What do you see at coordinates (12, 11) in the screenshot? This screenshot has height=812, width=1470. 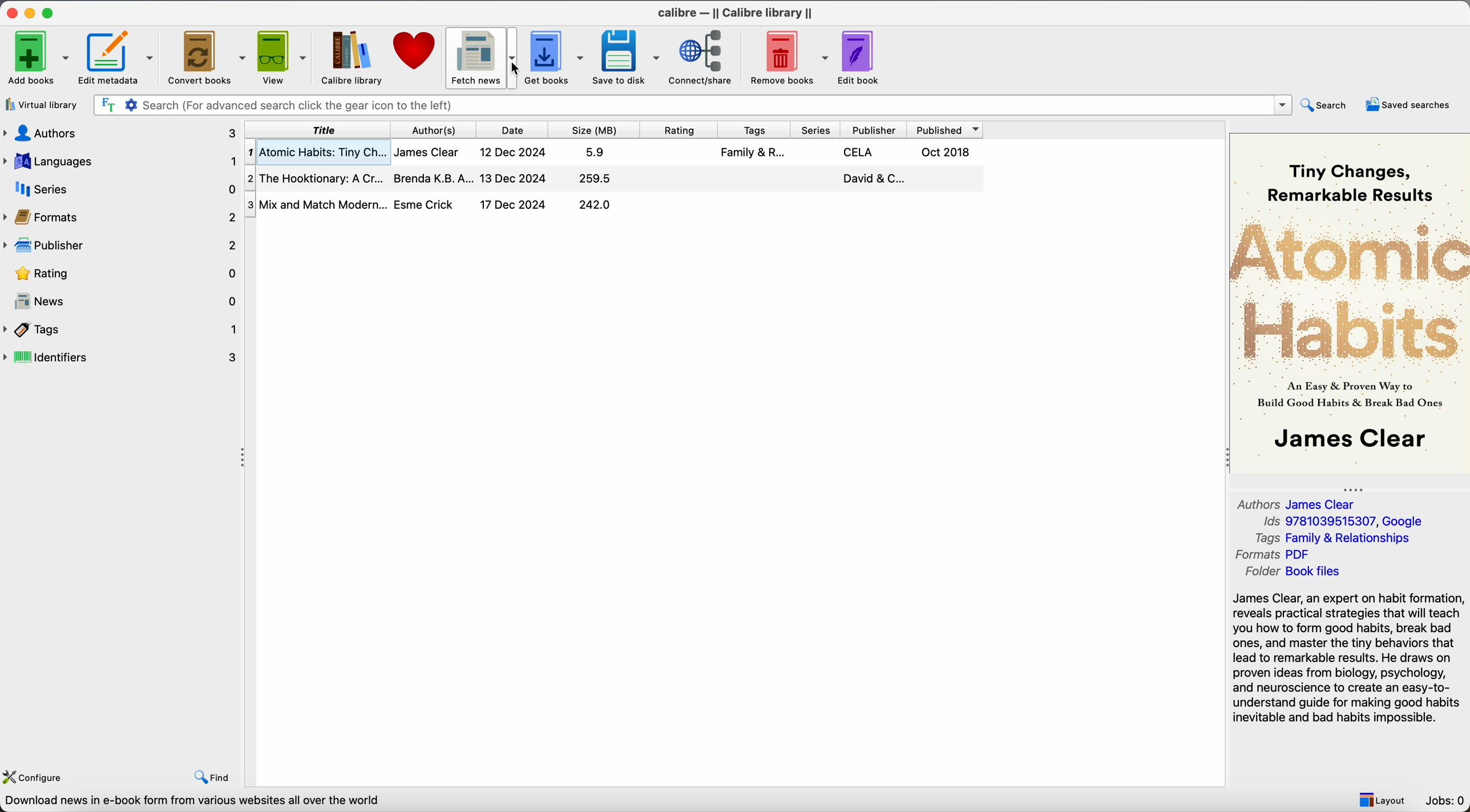 I see `close program` at bounding box center [12, 11].